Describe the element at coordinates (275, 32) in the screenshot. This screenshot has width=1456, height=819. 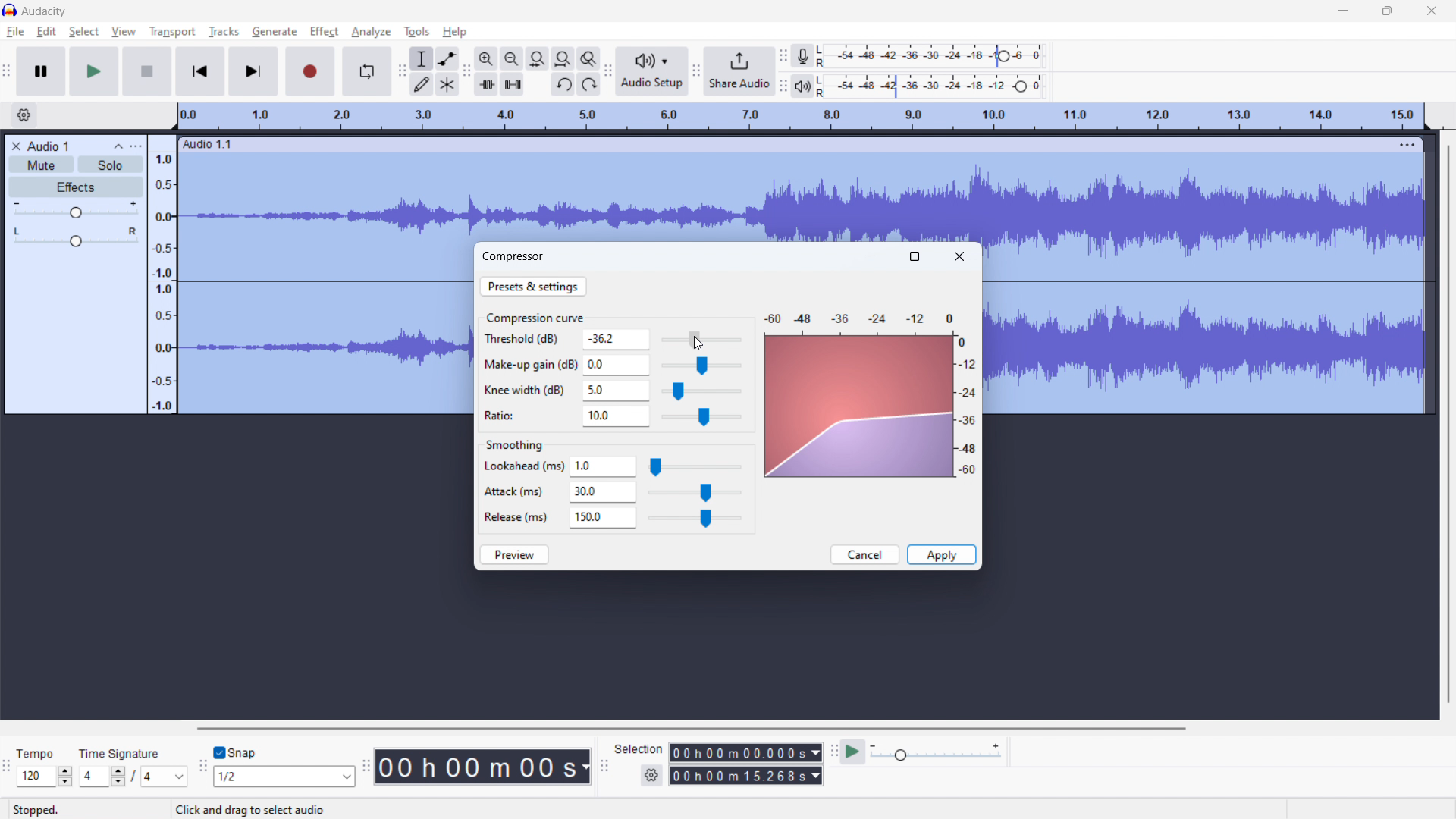
I see `generate` at that location.